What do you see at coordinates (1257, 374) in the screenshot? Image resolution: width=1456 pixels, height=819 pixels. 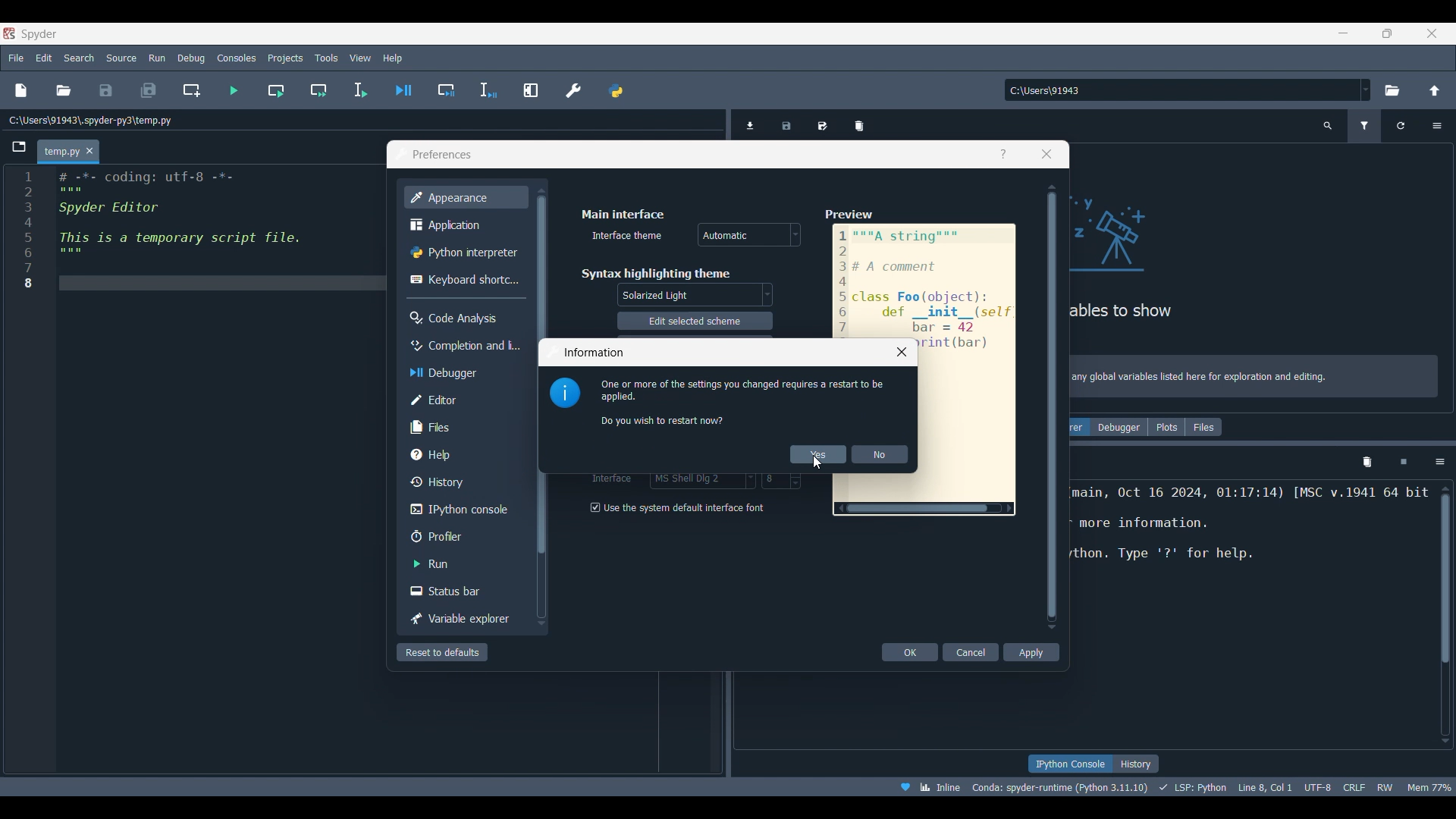 I see `notice` at bounding box center [1257, 374].